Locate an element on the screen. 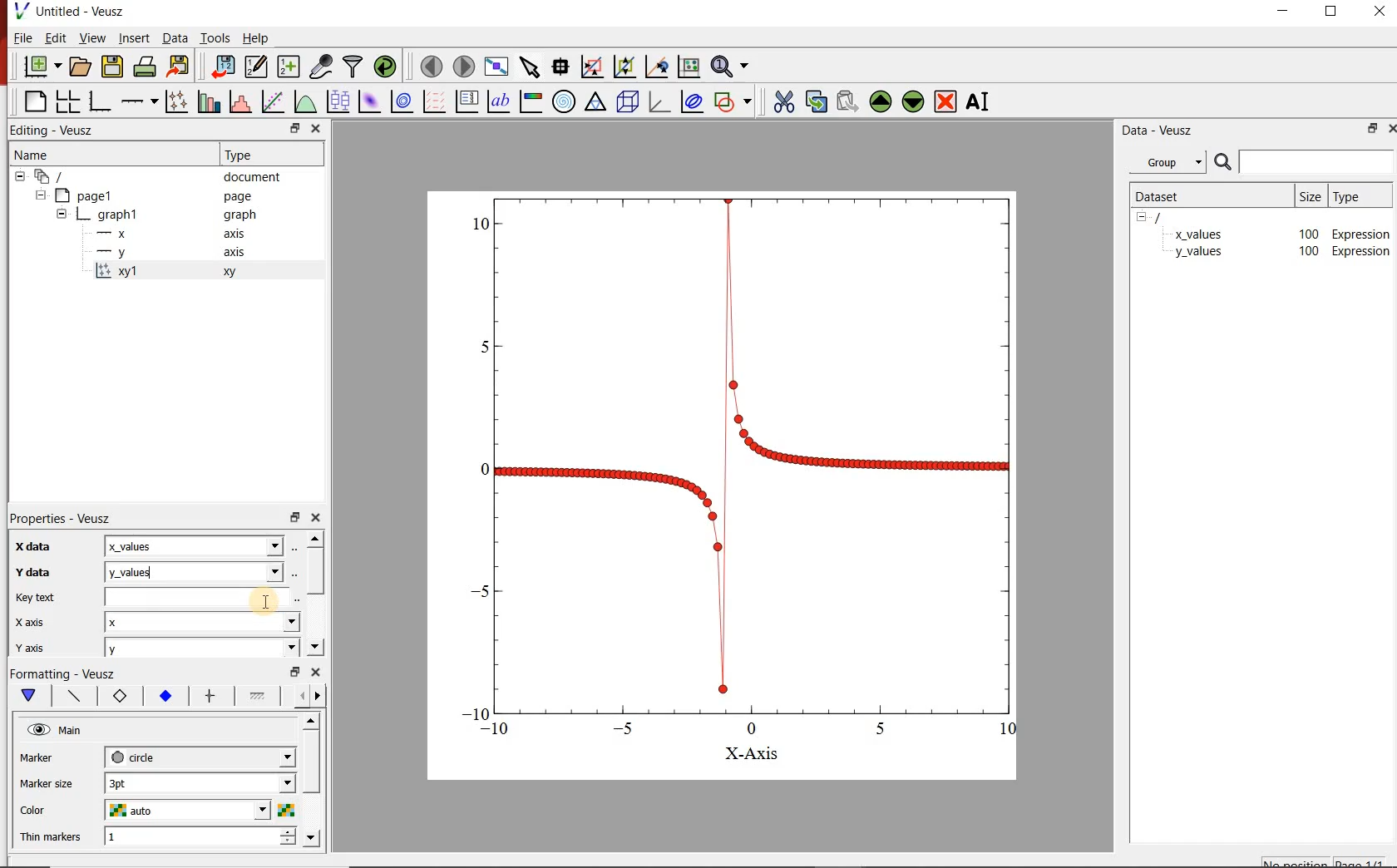  close is located at coordinates (316, 671).